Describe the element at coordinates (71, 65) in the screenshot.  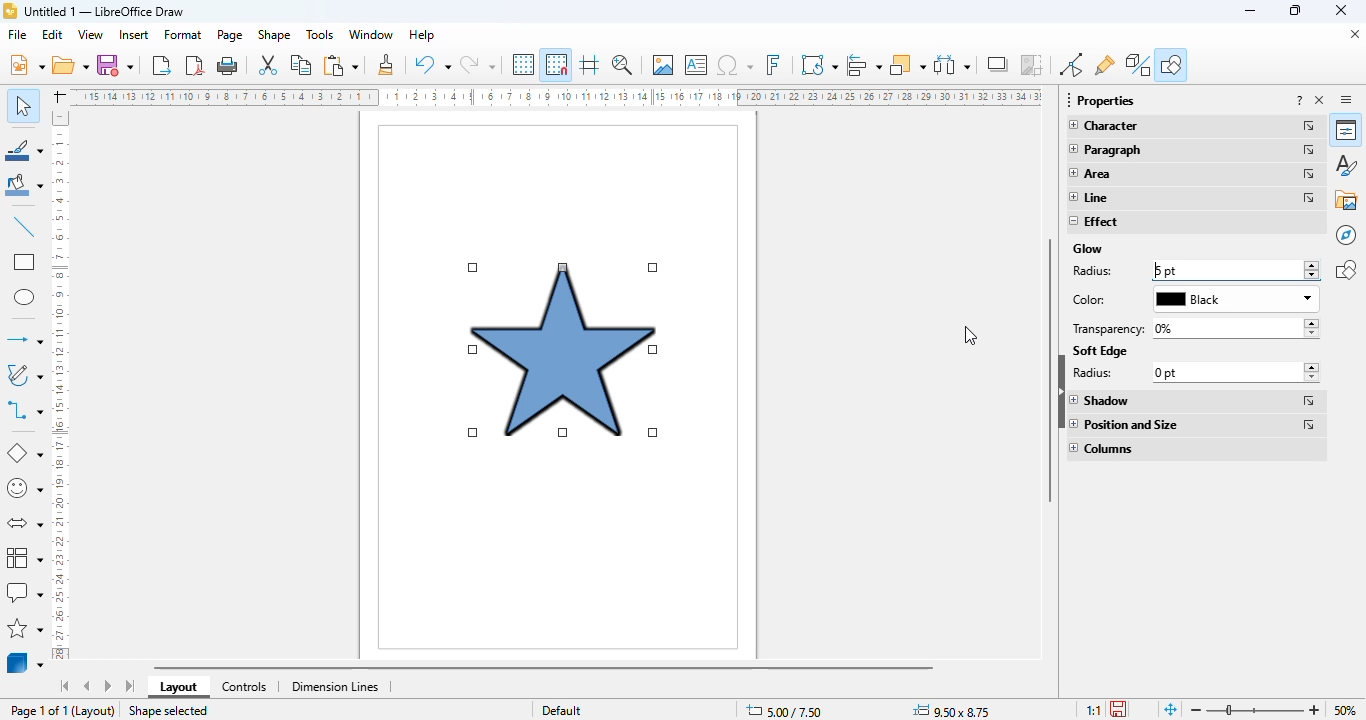
I see `open` at that location.